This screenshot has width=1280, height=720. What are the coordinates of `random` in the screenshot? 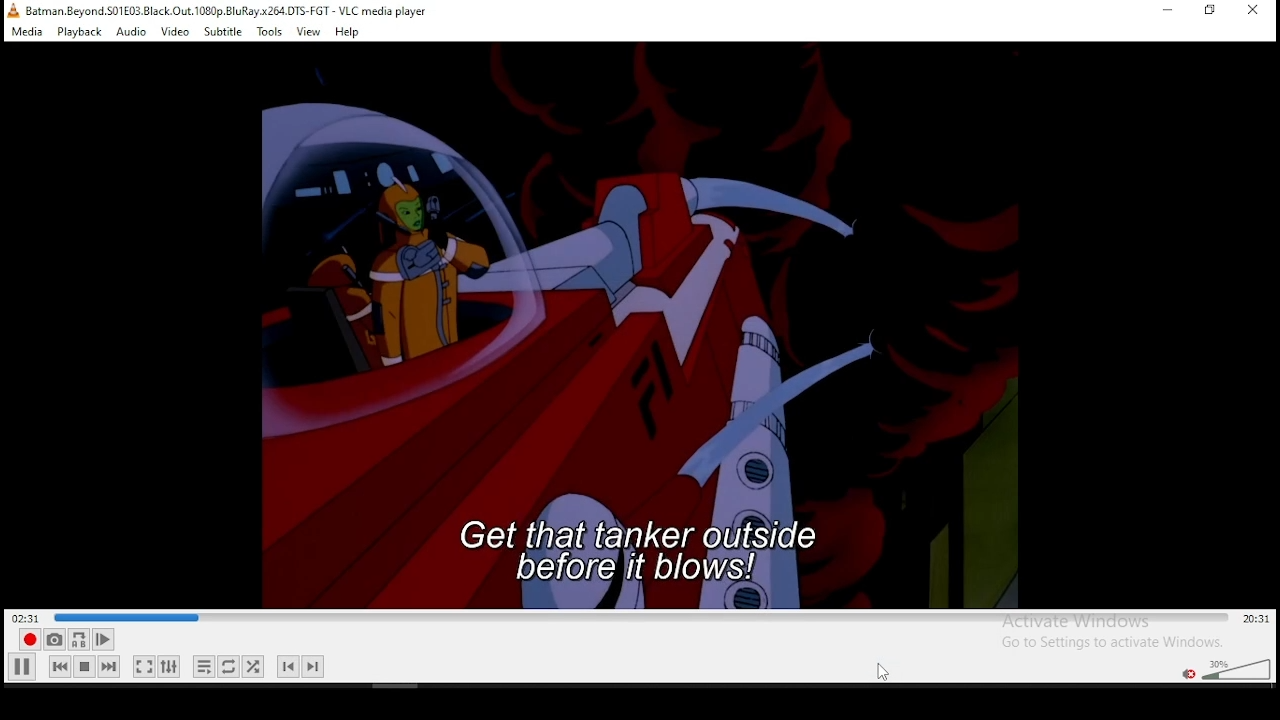 It's located at (253, 667).